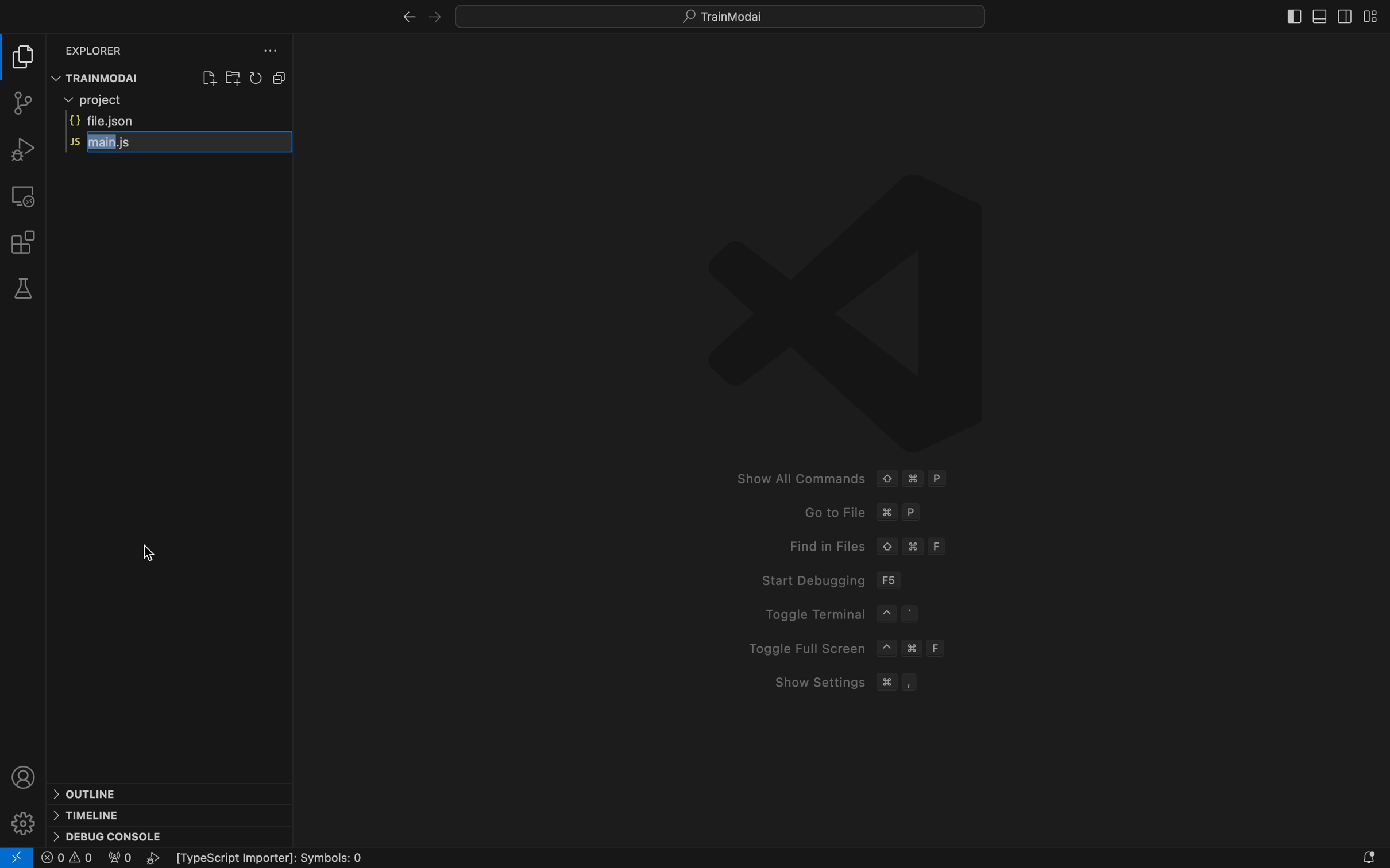 This screenshot has height=868, width=1390. What do you see at coordinates (1292, 16) in the screenshot?
I see `sidebat left` at bounding box center [1292, 16].